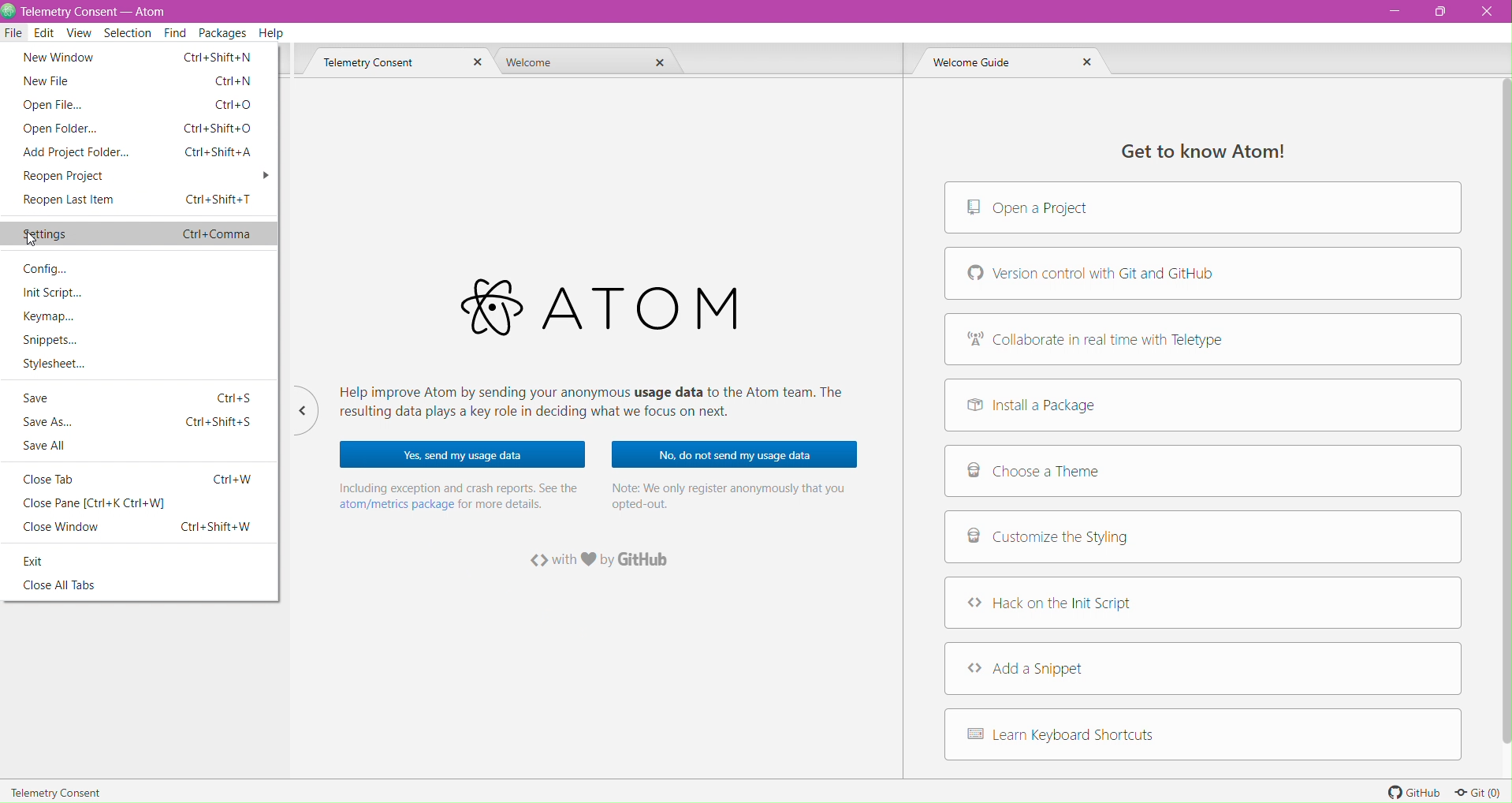  Describe the element at coordinates (147, 177) in the screenshot. I see `Reopen Project` at that location.